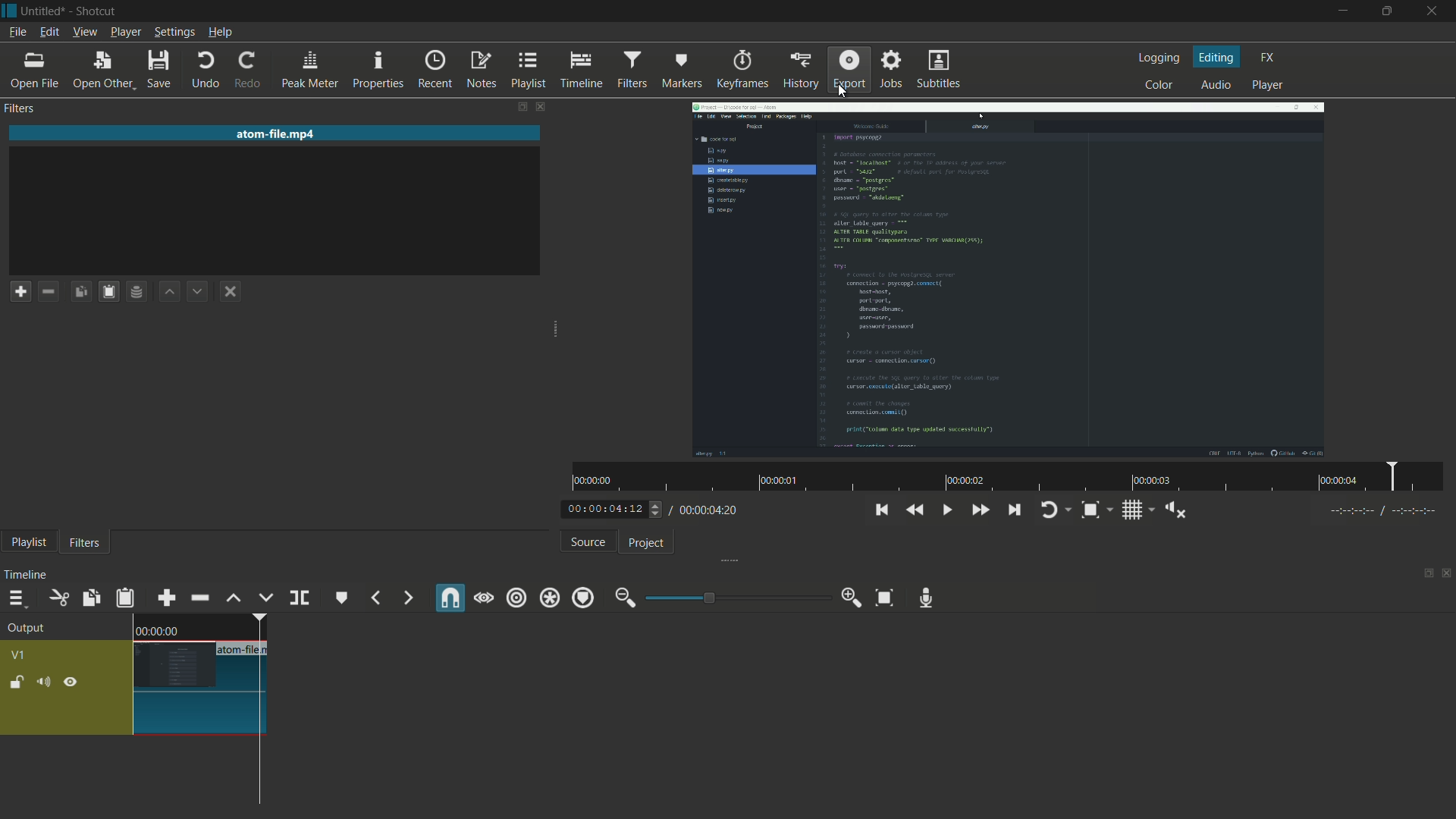 The width and height of the screenshot is (1456, 819). What do you see at coordinates (880, 510) in the screenshot?
I see `skip to the previous point` at bounding box center [880, 510].